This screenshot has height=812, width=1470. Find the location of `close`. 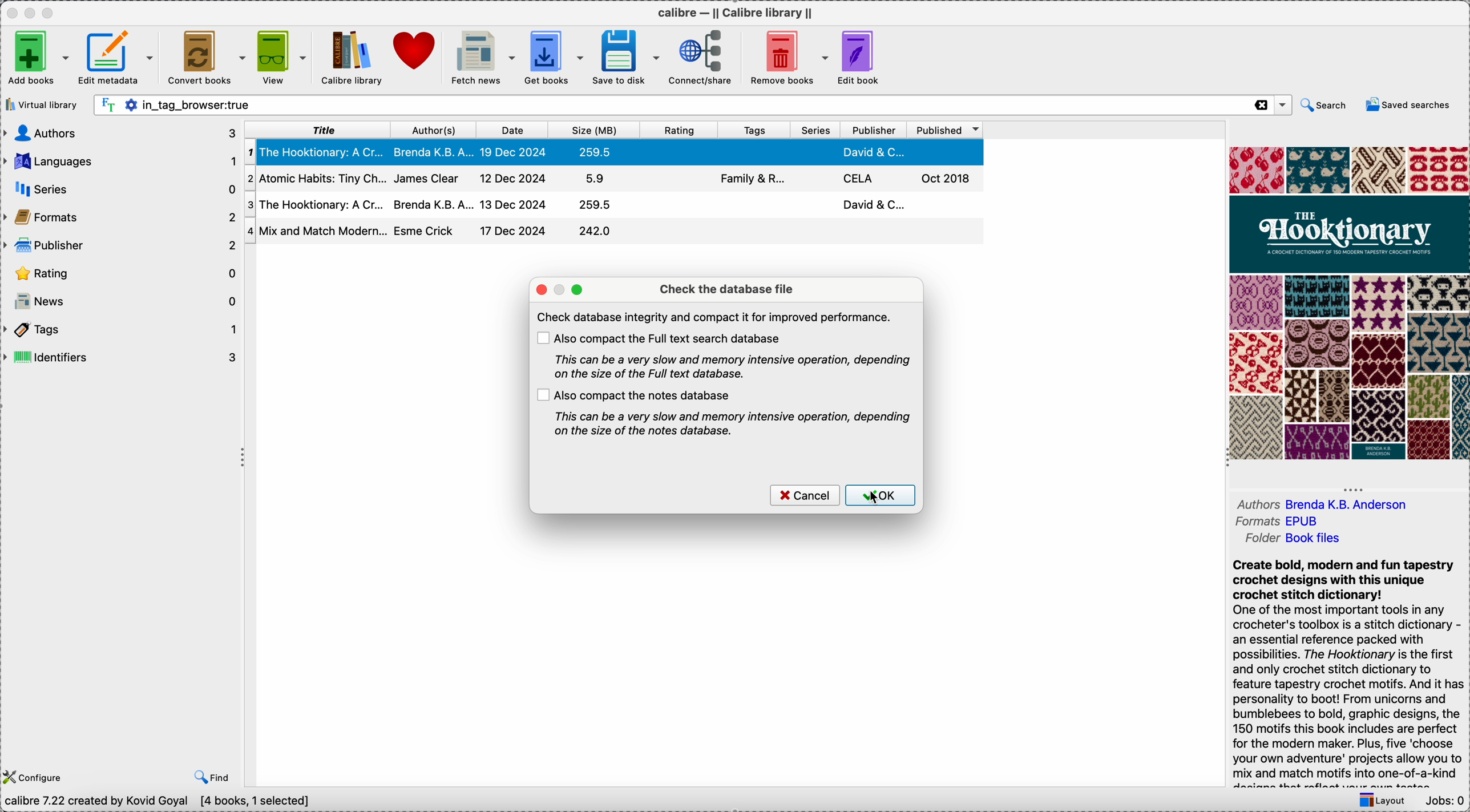

close is located at coordinates (1260, 105).